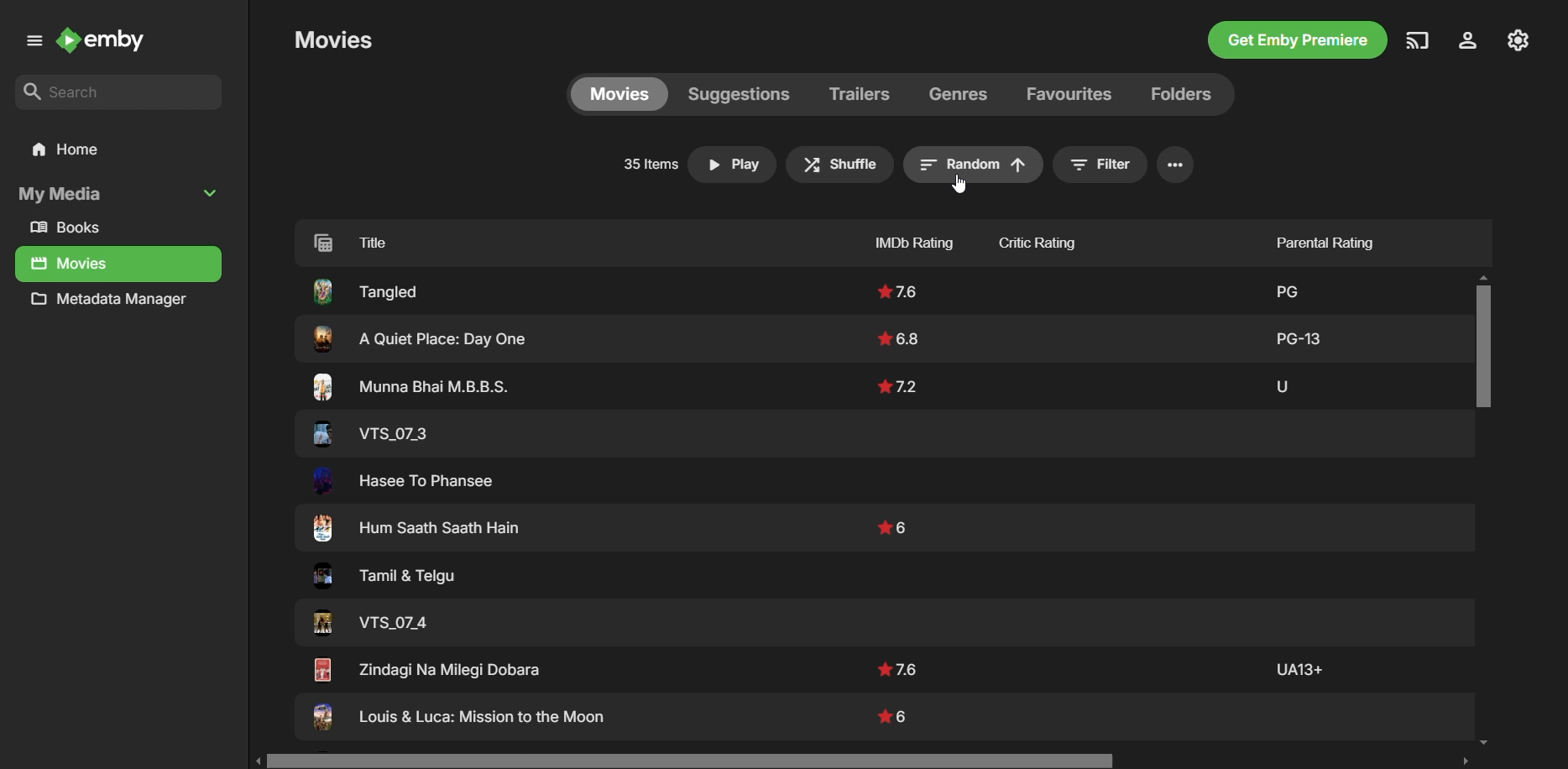 The width and height of the screenshot is (1568, 769). I want to click on , so click(458, 719).